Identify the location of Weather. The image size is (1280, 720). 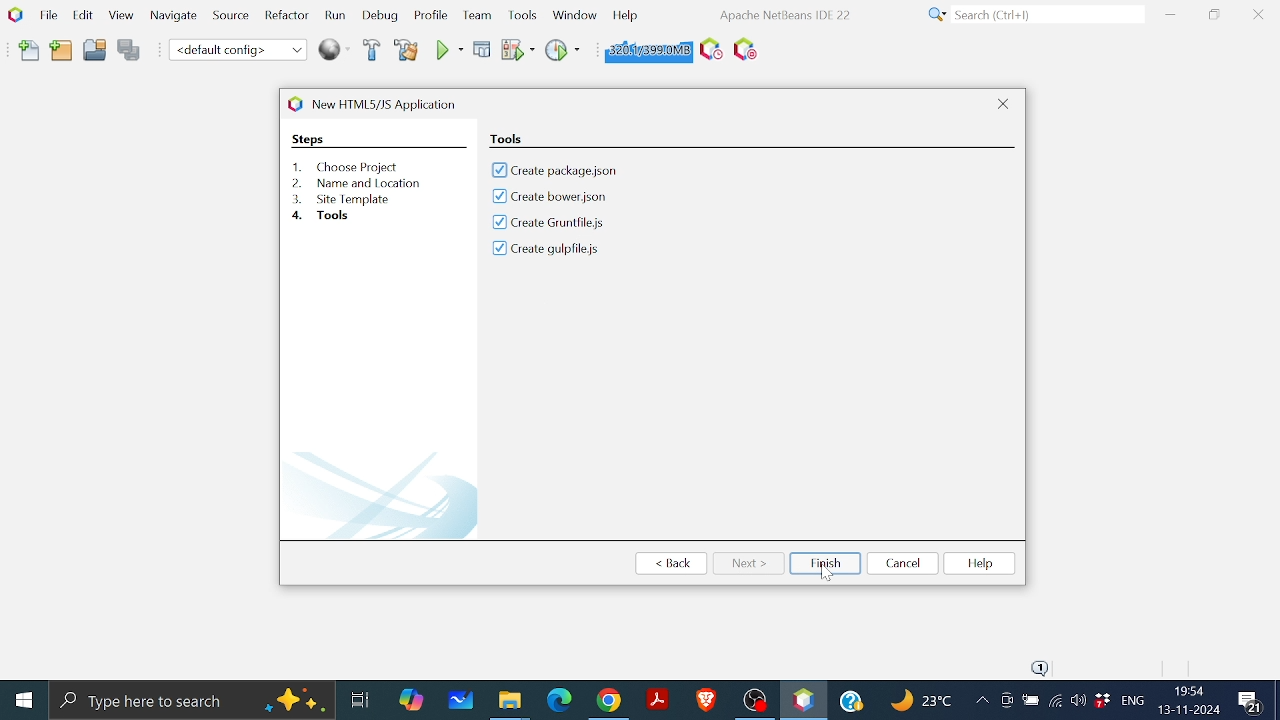
(924, 703).